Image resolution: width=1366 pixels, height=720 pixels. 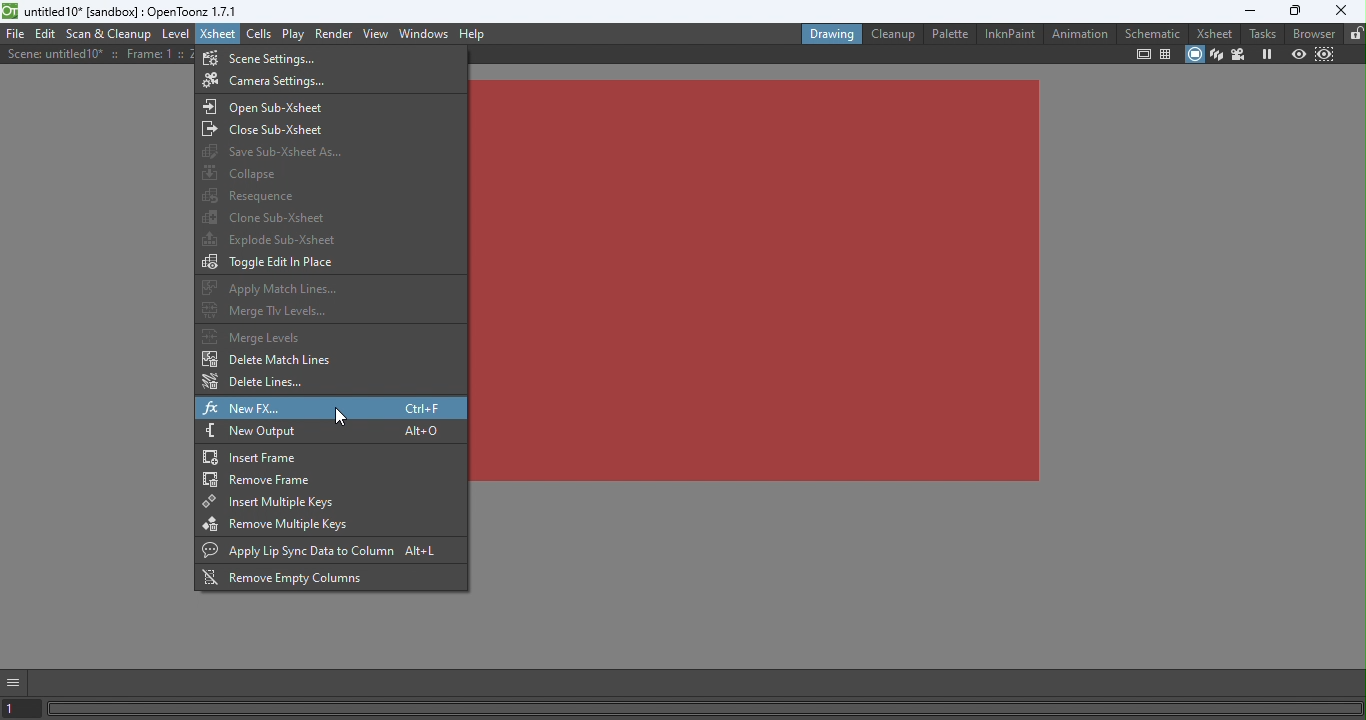 What do you see at coordinates (1211, 32) in the screenshot?
I see `Xsheet` at bounding box center [1211, 32].